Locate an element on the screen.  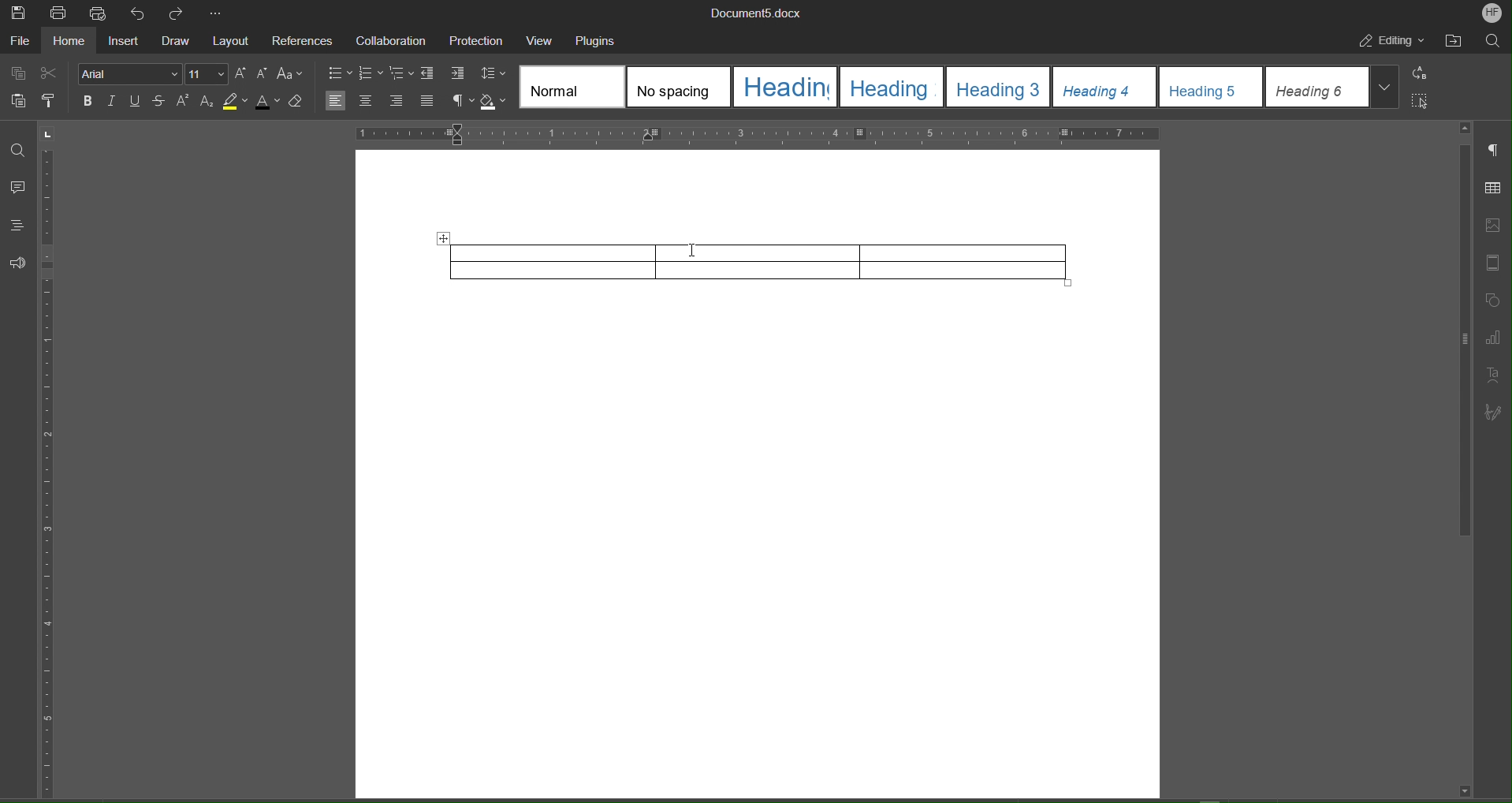
Undo is located at coordinates (142, 14).